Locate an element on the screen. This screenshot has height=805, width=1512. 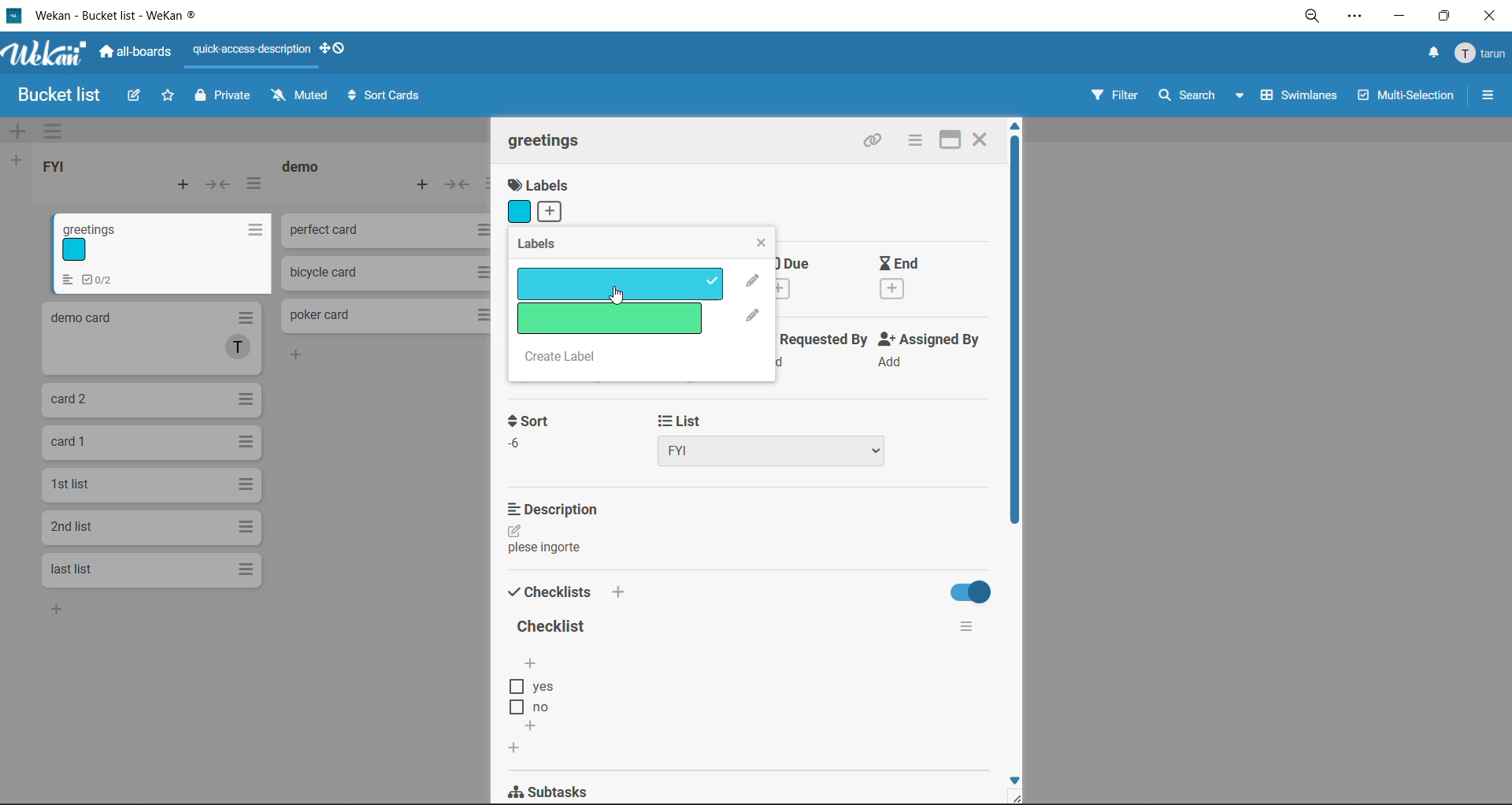
multiselection is located at coordinates (1403, 98).